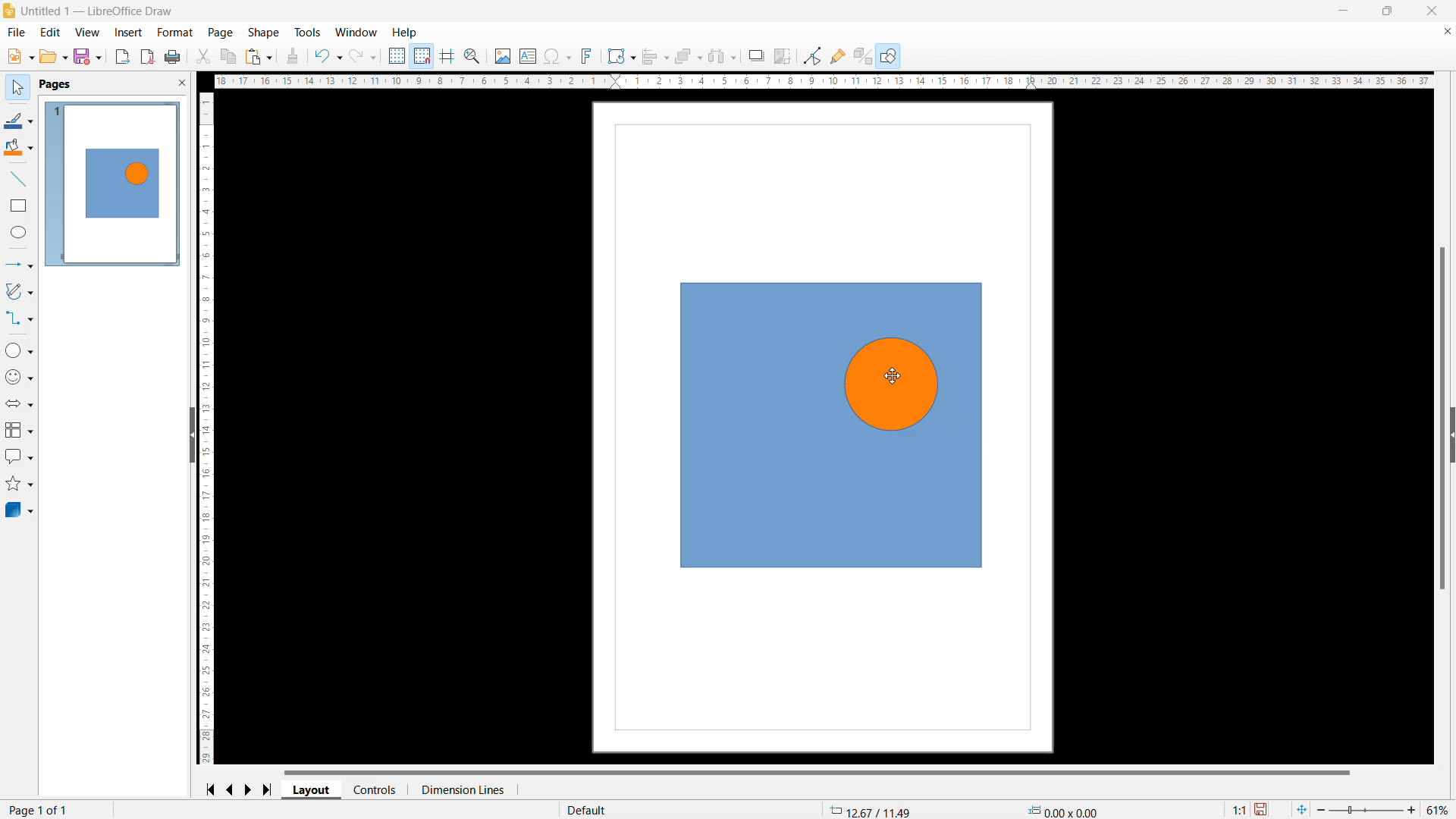 This screenshot has height=819, width=1456. I want to click on minimize, so click(1346, 11).